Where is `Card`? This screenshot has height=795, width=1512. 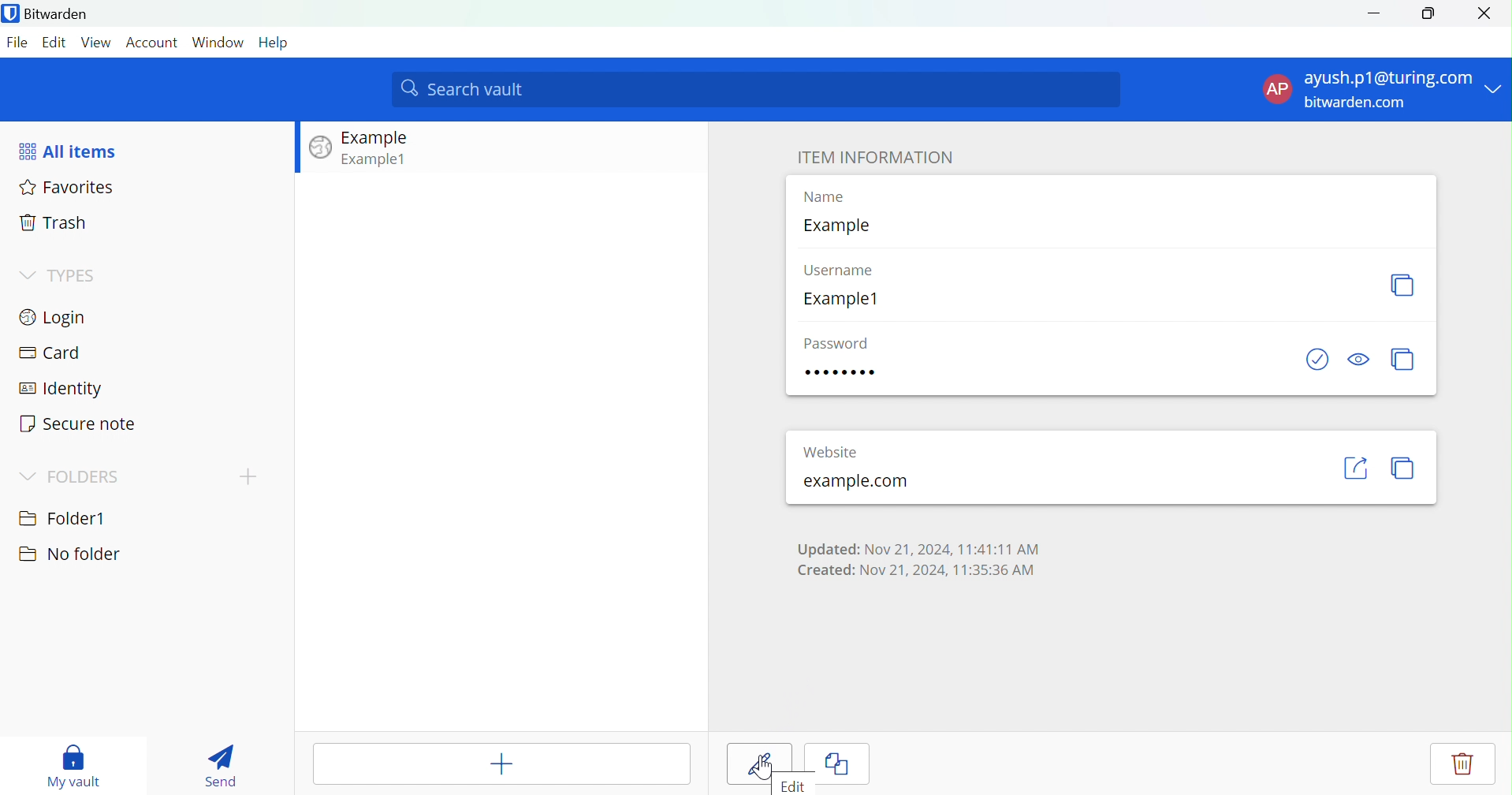
Card is located at coordinates (50, 353).